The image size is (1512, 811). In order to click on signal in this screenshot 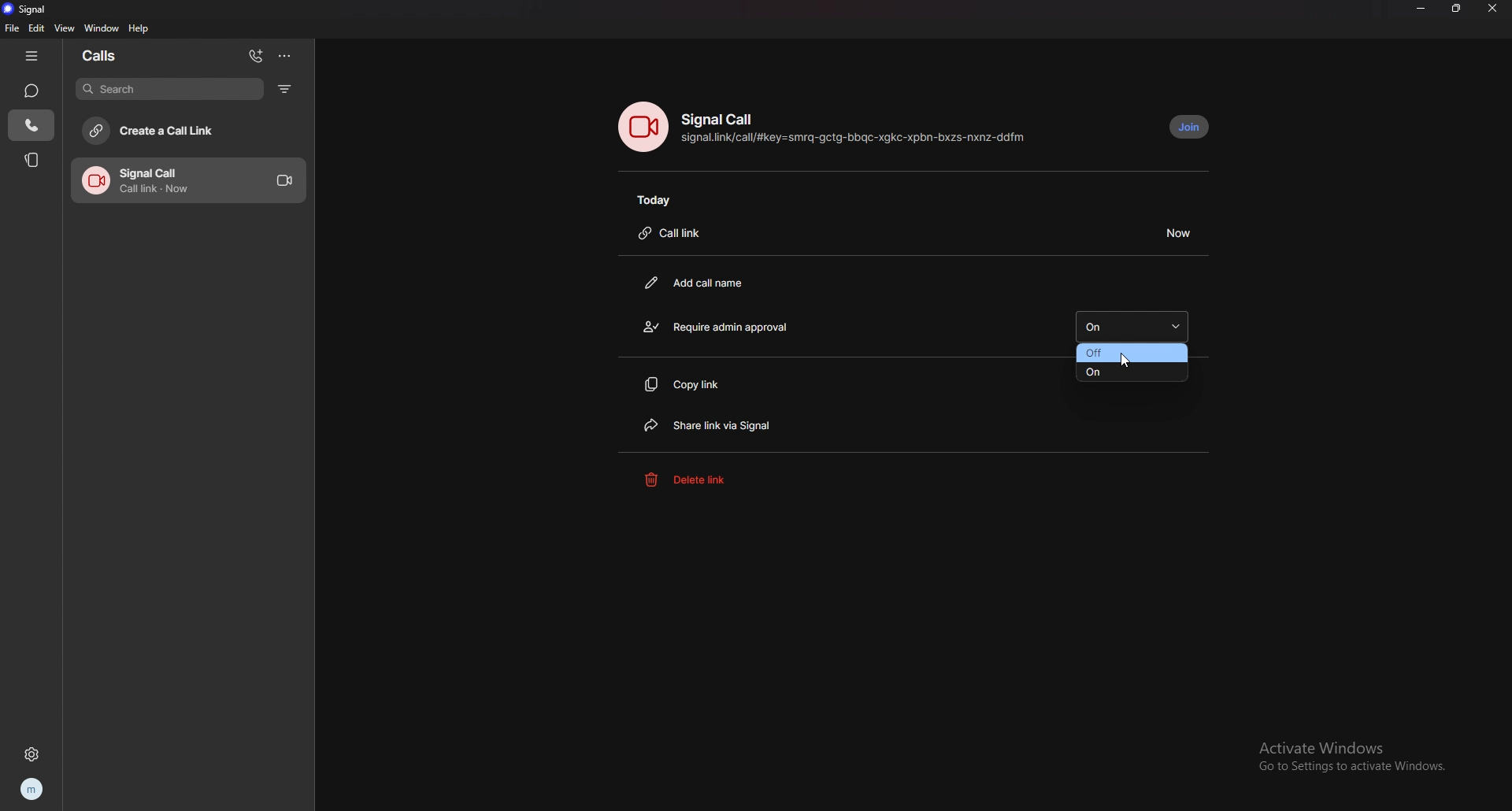, I will do `click(31, 9)`.